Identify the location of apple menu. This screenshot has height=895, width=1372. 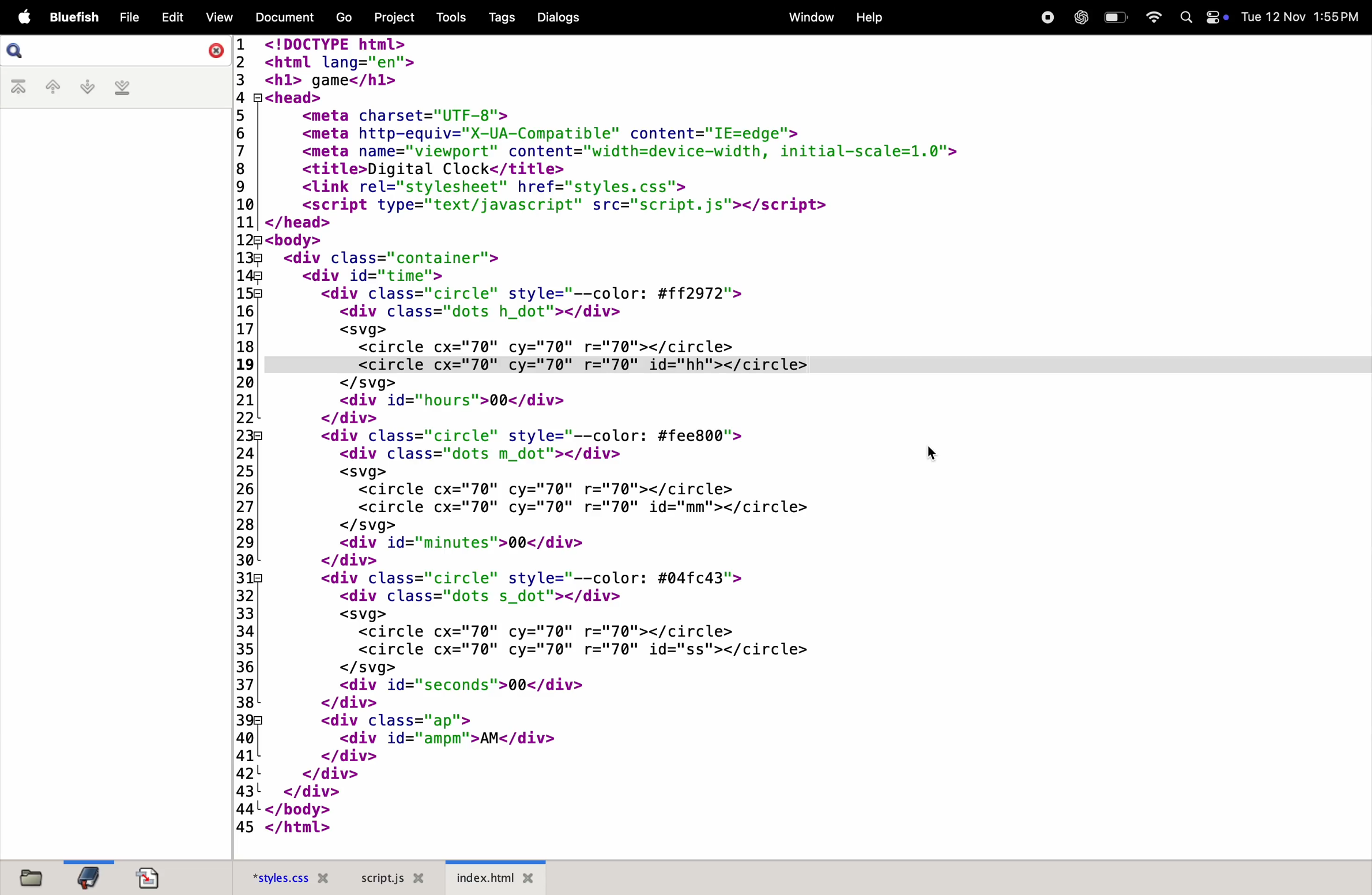
(20, 17).